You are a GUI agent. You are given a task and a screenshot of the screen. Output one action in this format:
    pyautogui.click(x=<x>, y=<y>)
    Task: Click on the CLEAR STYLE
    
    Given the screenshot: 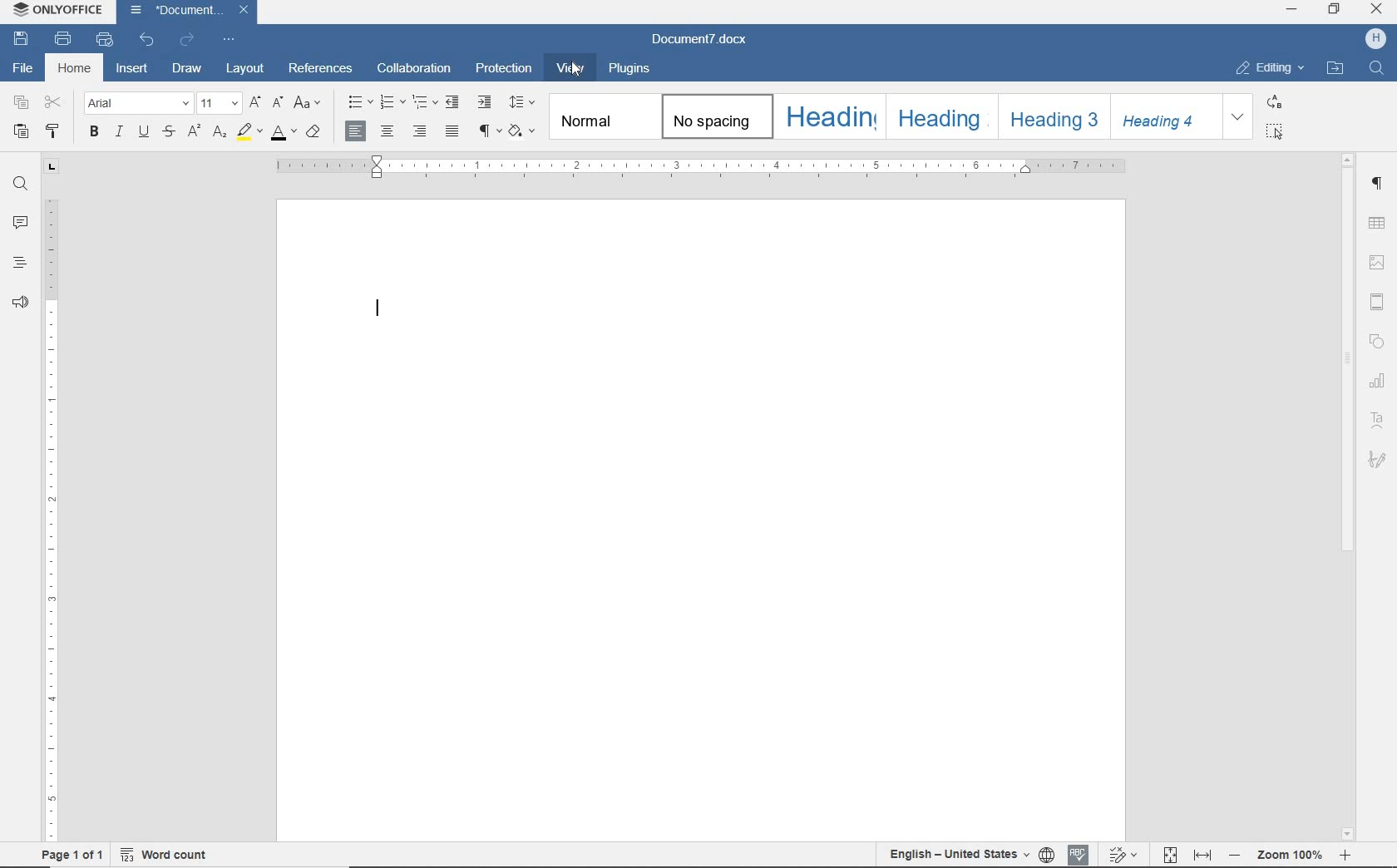 What is the action you would take?
    pyautogui.click(x=314, y=133)
    